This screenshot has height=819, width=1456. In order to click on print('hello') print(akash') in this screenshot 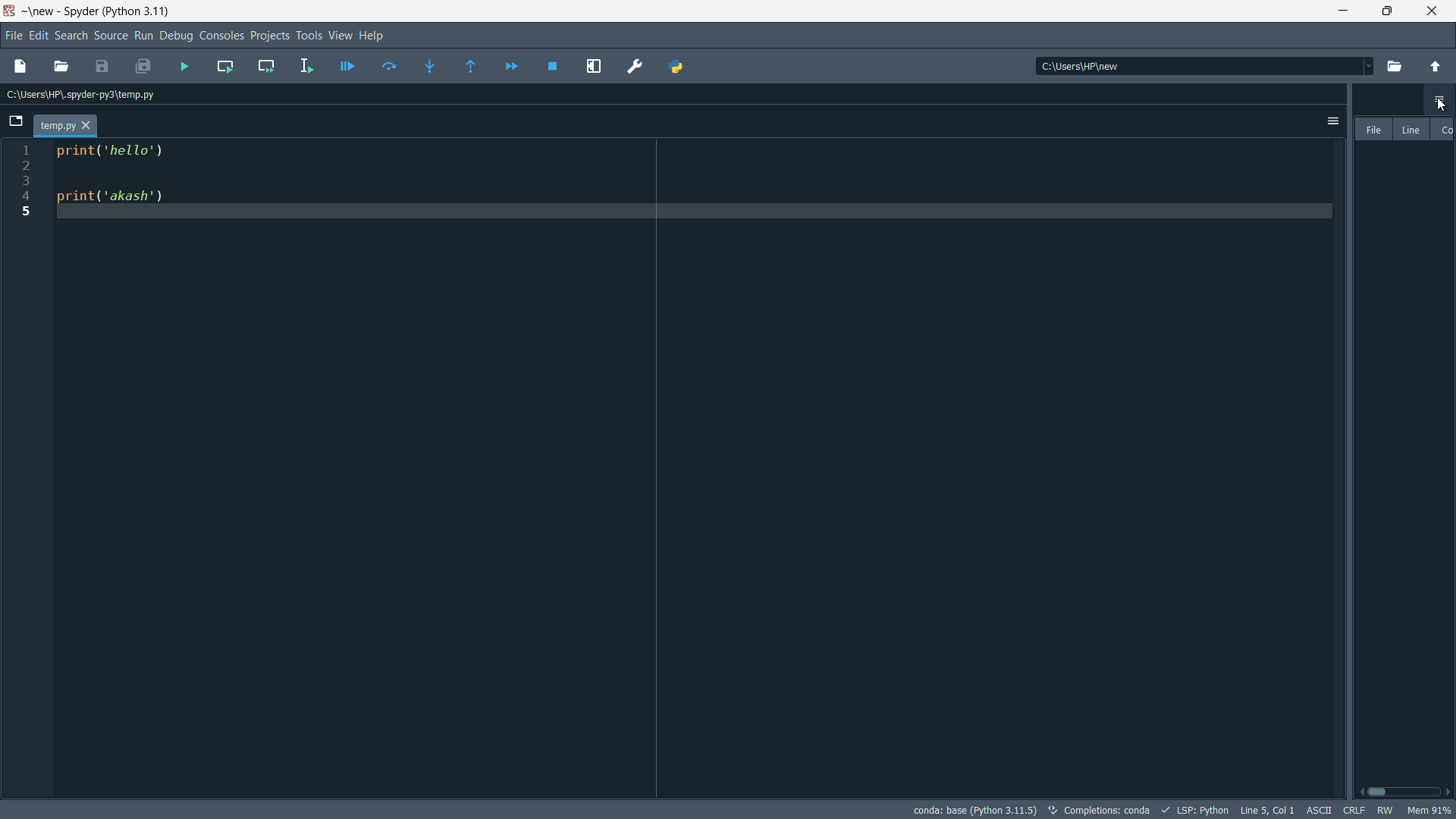, I will do `click(696, 466)`.